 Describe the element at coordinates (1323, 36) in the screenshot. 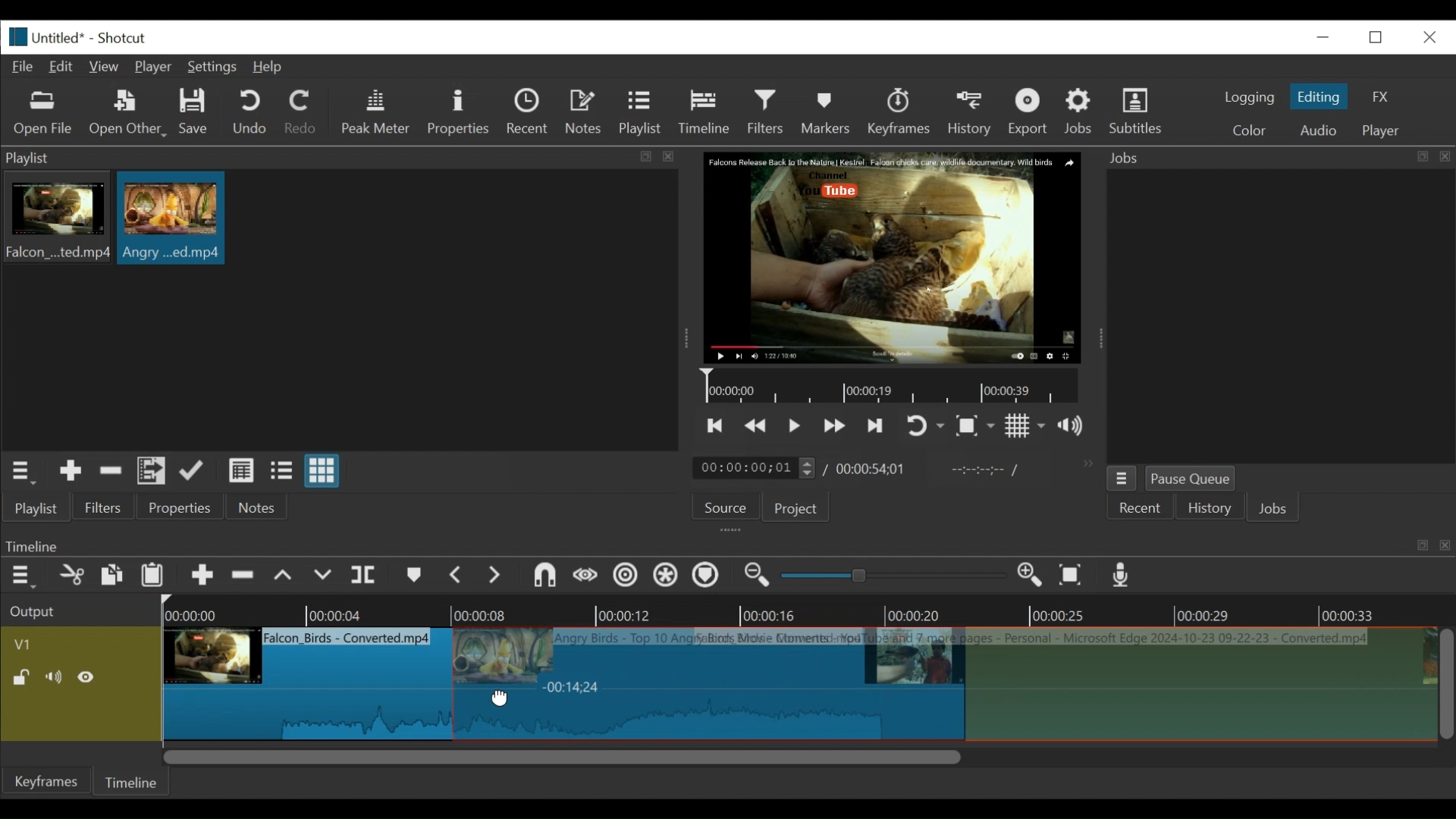

I see `minimize` at that location.